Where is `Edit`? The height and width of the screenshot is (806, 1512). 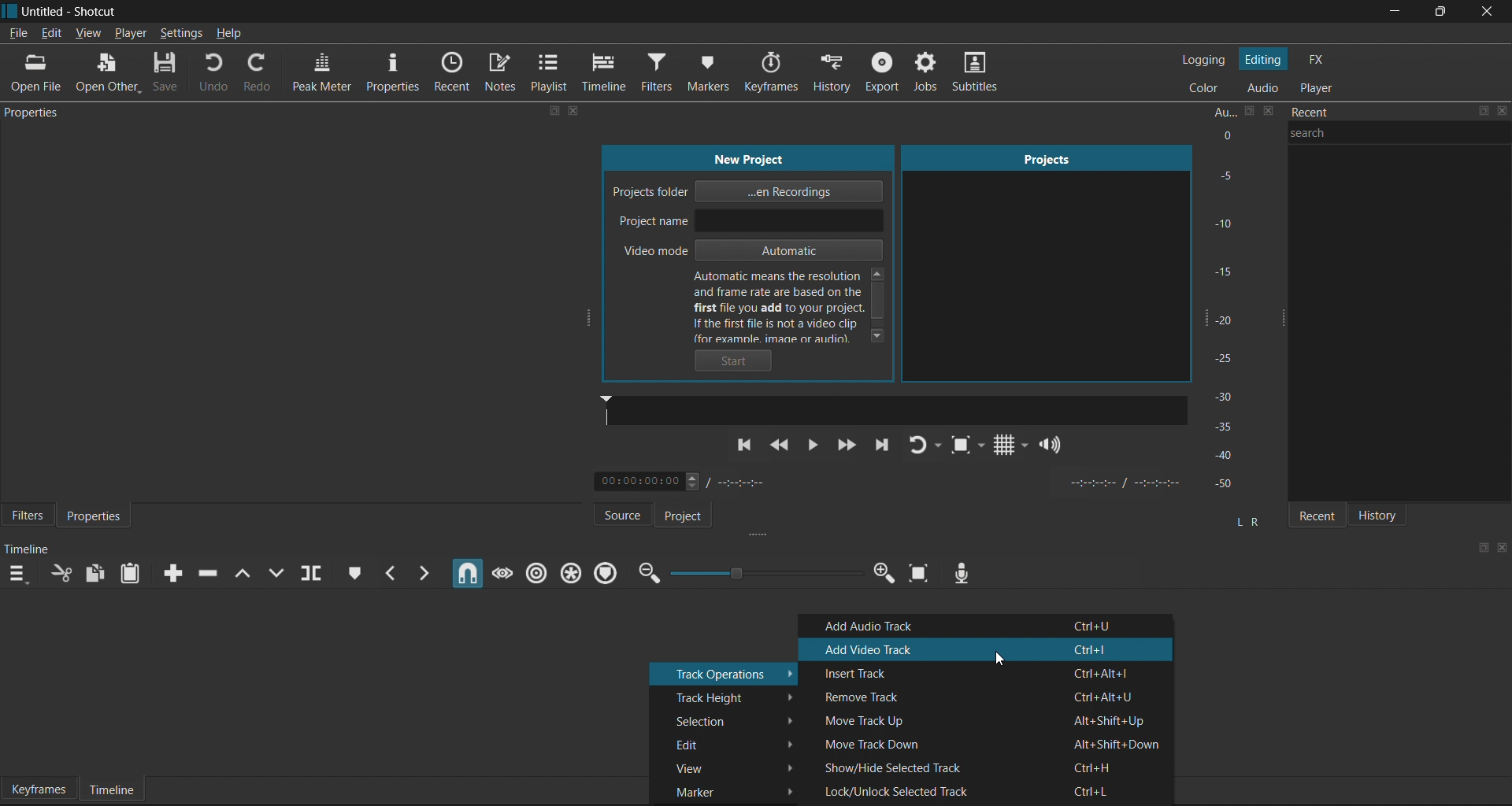
Edit is located at coordinates (729, 743).